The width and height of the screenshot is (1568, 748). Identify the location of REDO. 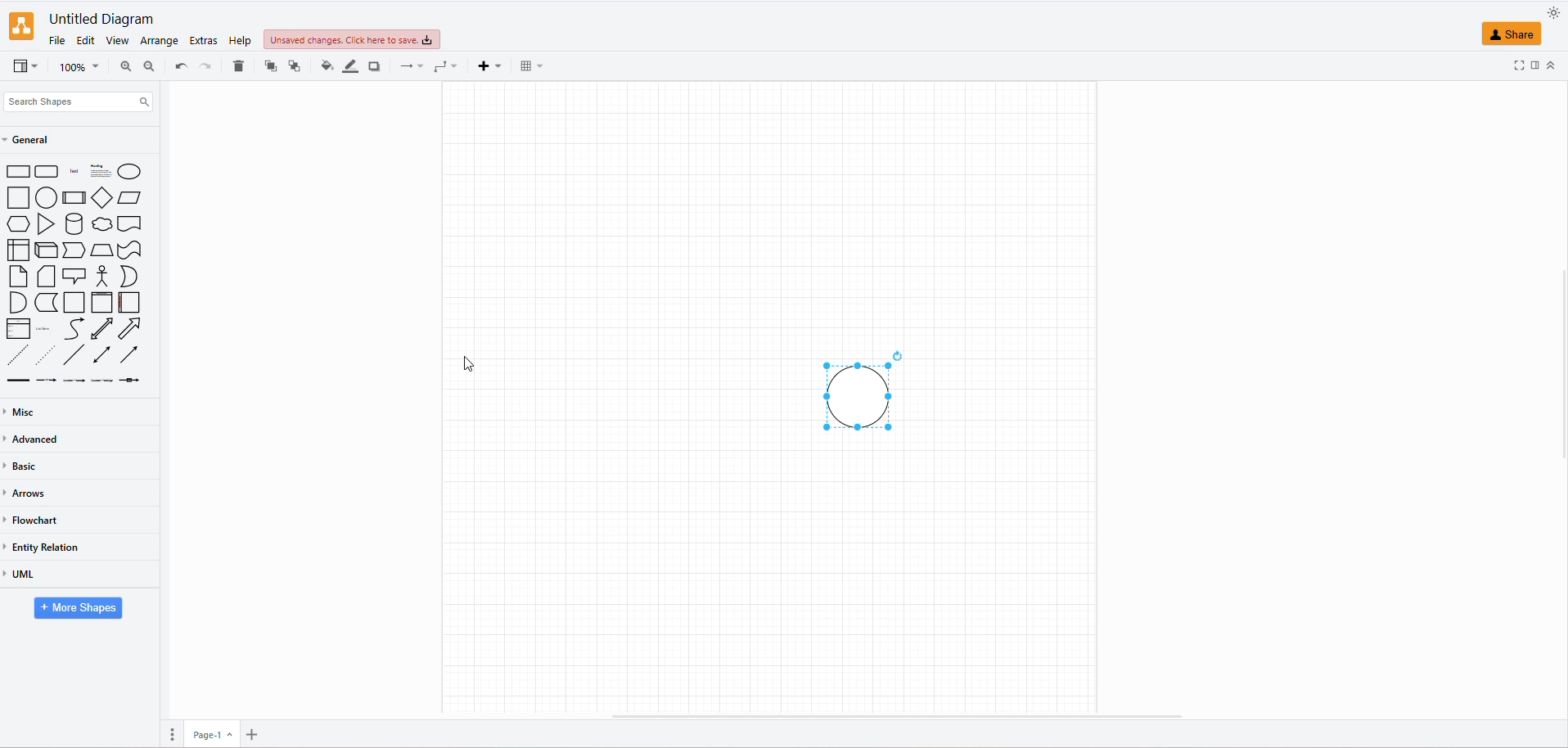
(204, 66).